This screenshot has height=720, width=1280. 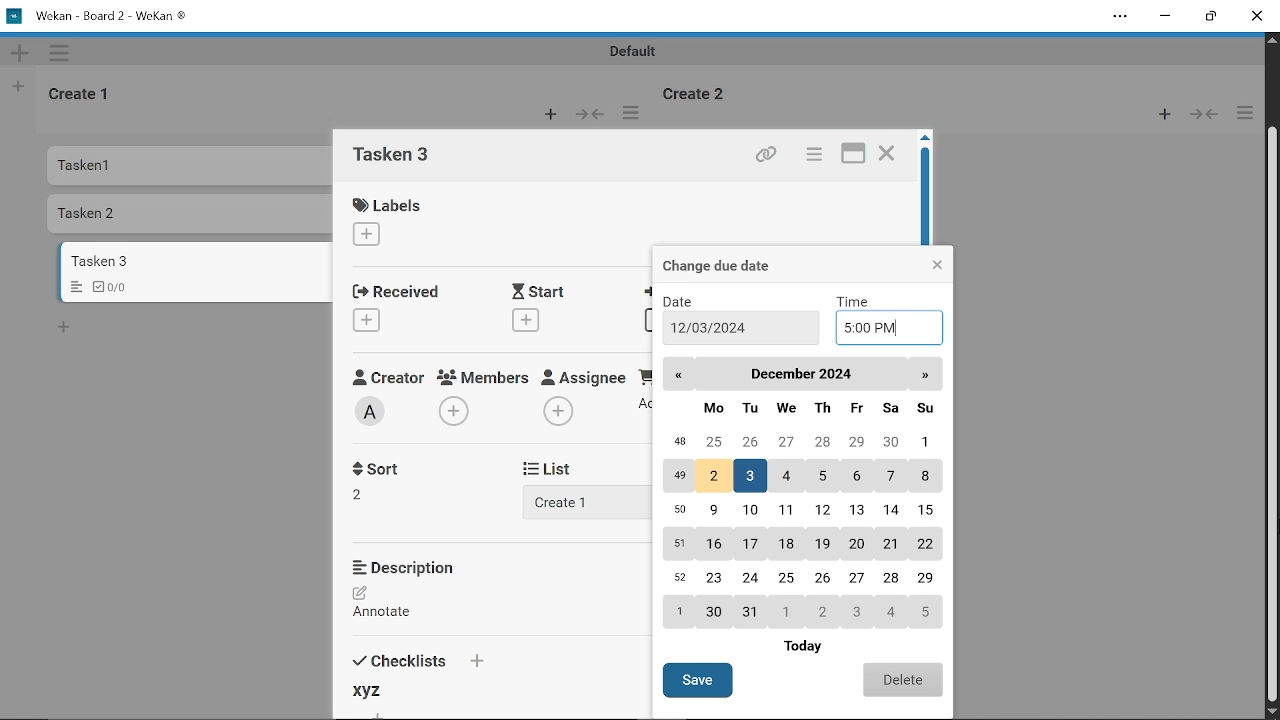 I want to click on Minimize, so click(x=1166, y=17).